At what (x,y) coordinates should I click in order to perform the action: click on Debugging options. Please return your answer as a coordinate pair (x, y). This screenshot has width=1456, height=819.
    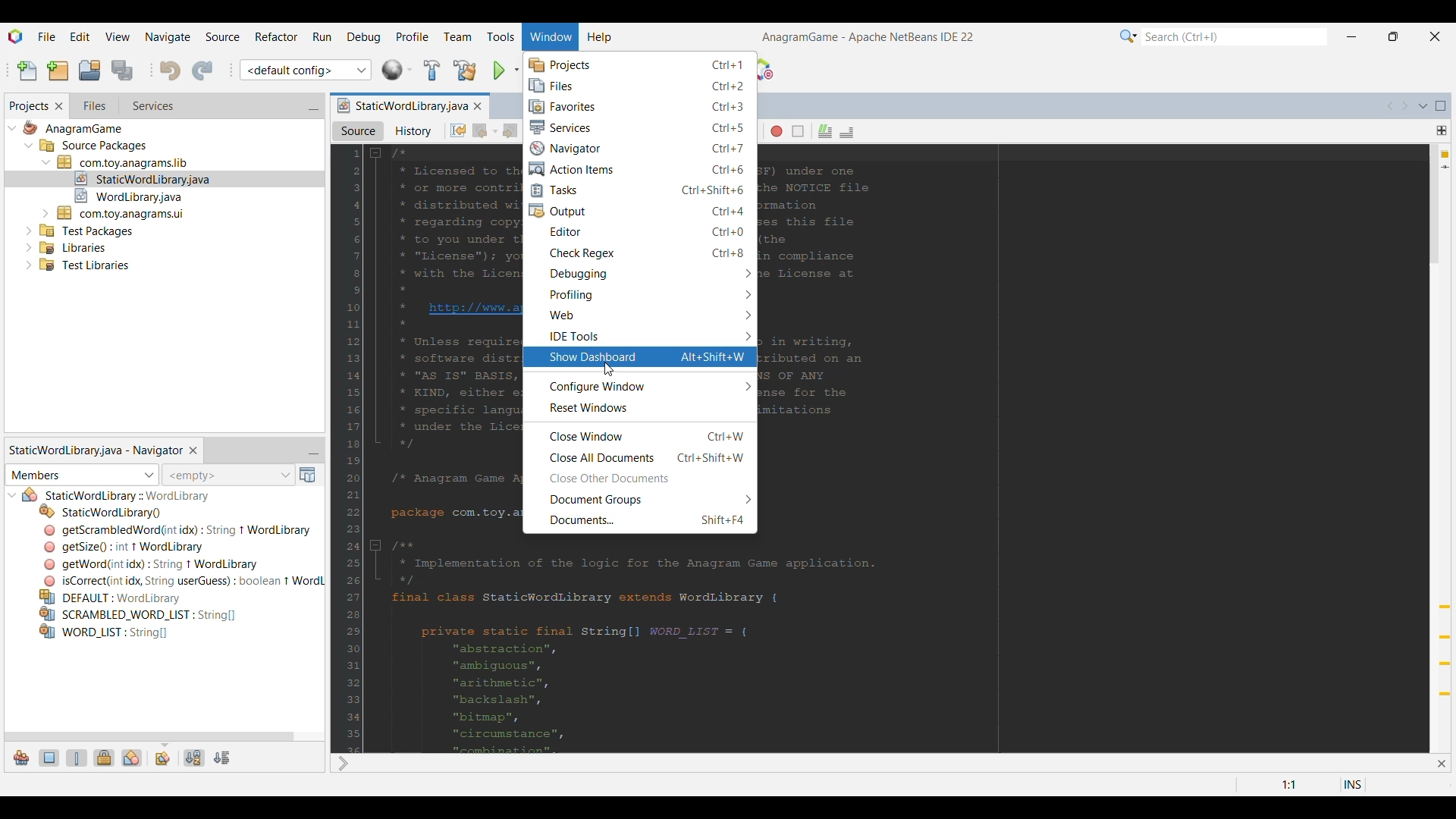
    Looking at the image, I should click on (639, 274).